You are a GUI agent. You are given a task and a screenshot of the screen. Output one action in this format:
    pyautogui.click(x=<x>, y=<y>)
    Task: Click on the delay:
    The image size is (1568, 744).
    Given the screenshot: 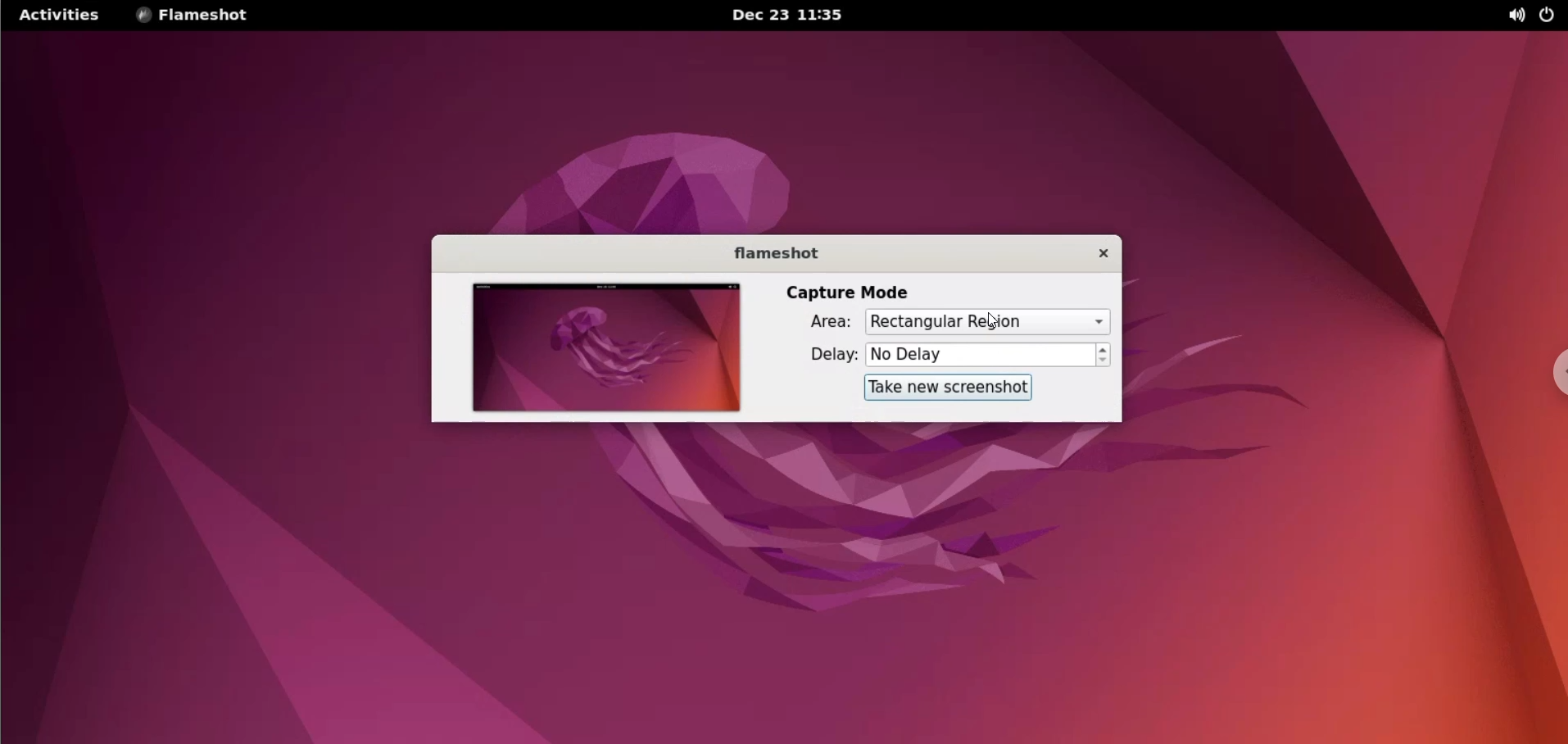 What is the action you would take?
    pyautogui.click(x=827, y=356)
    